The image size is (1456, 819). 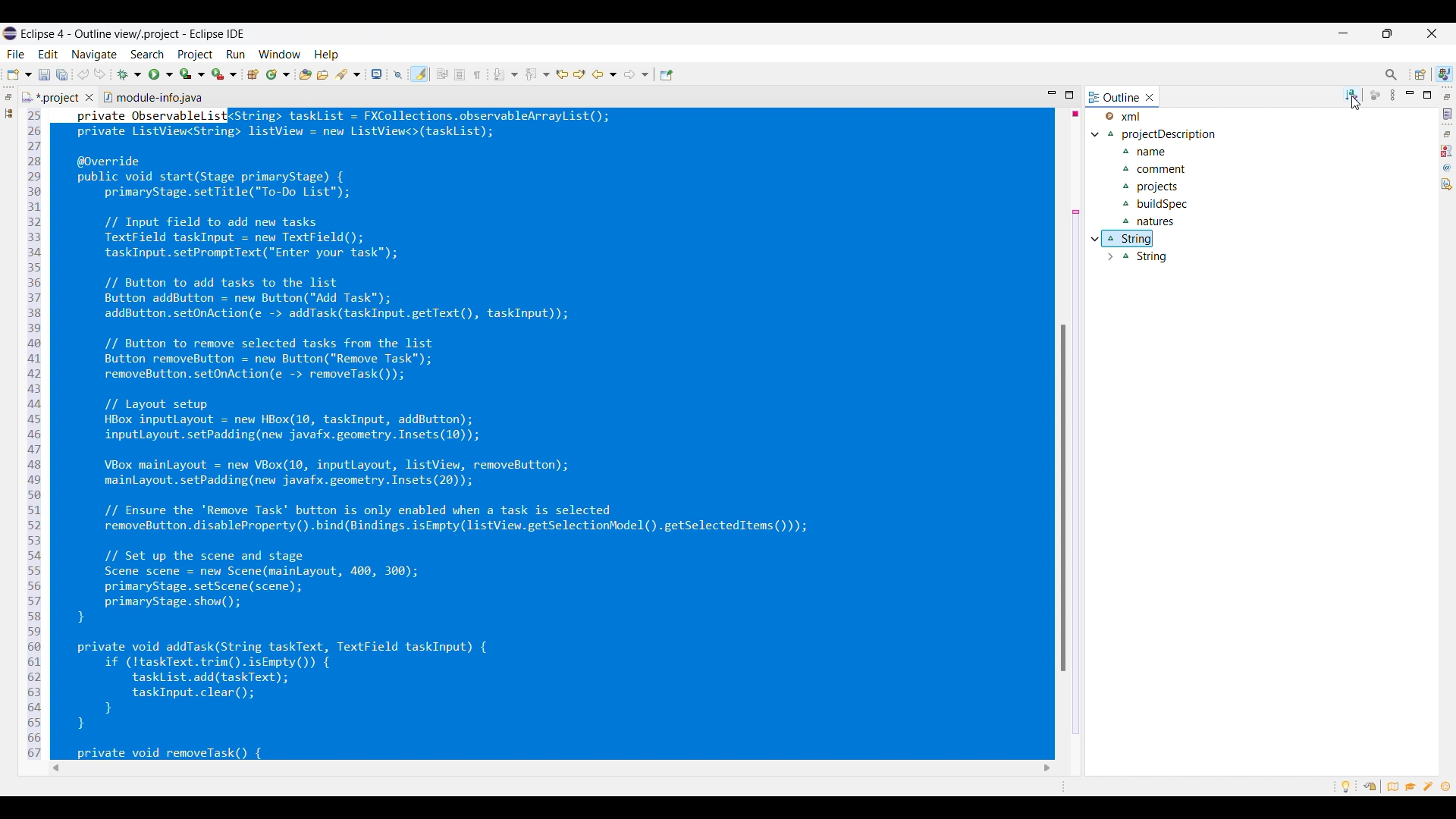 What do you see at coordinates (100, 74) in the screenshot?
I see `Redo` at bounding box center [100, 74].